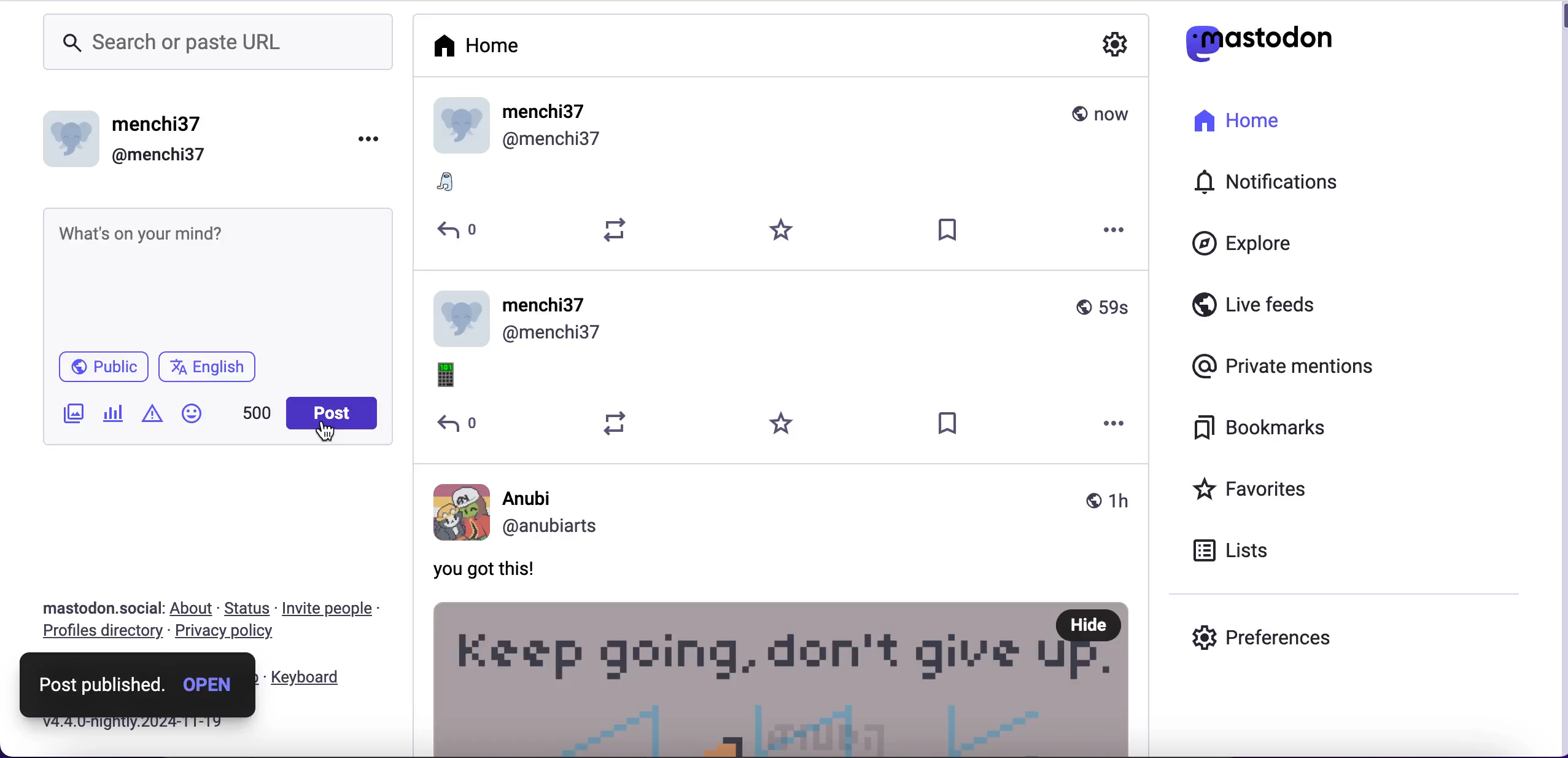 The width and height of the screenshot is (1568, 758). What do you see at coordinates (1285, 363) in the screenshot?
I see `private mentions` at bounding box center [1285, 363].